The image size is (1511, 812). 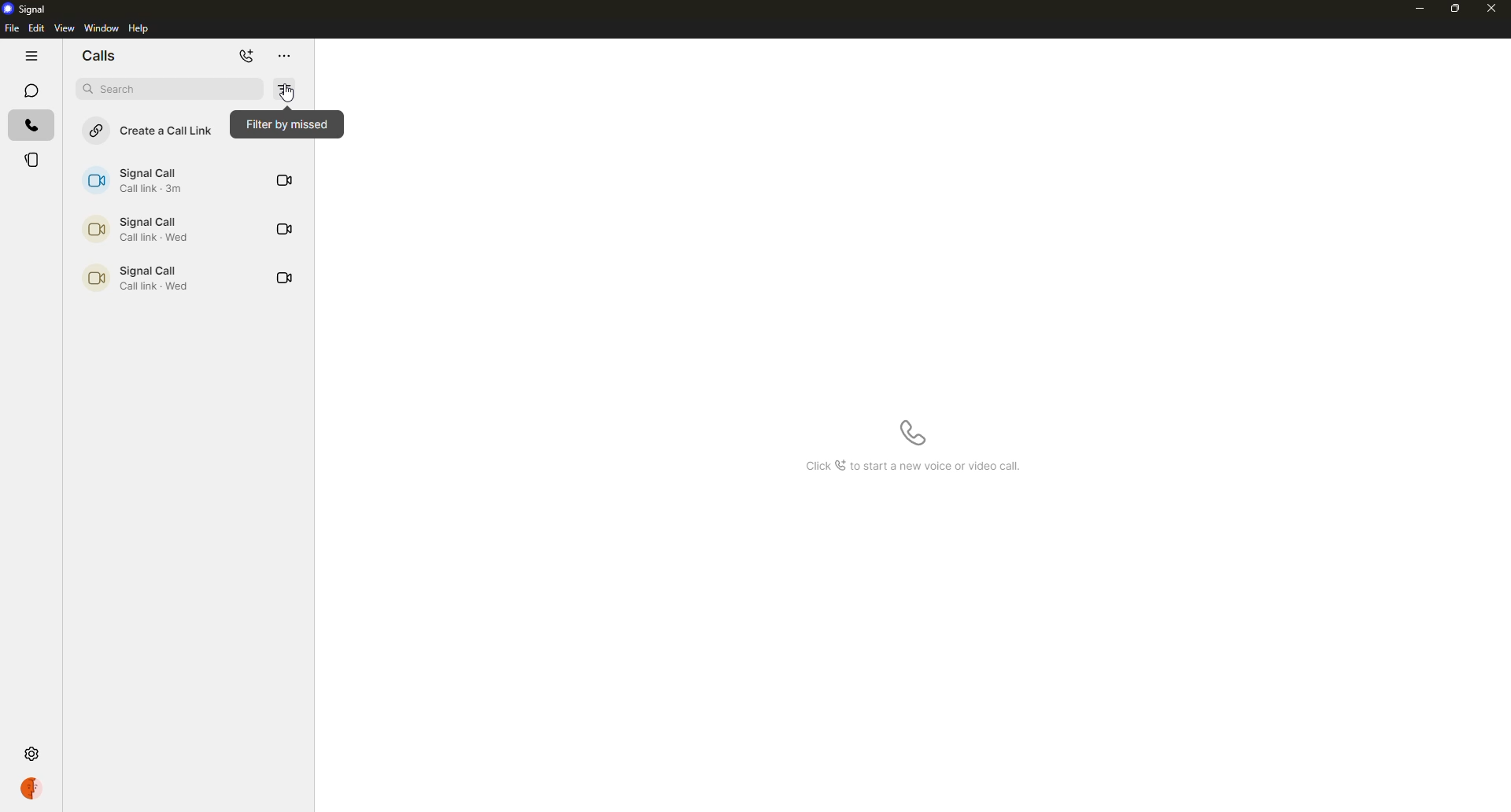 I want to click on video, so click(x=286, y=229).